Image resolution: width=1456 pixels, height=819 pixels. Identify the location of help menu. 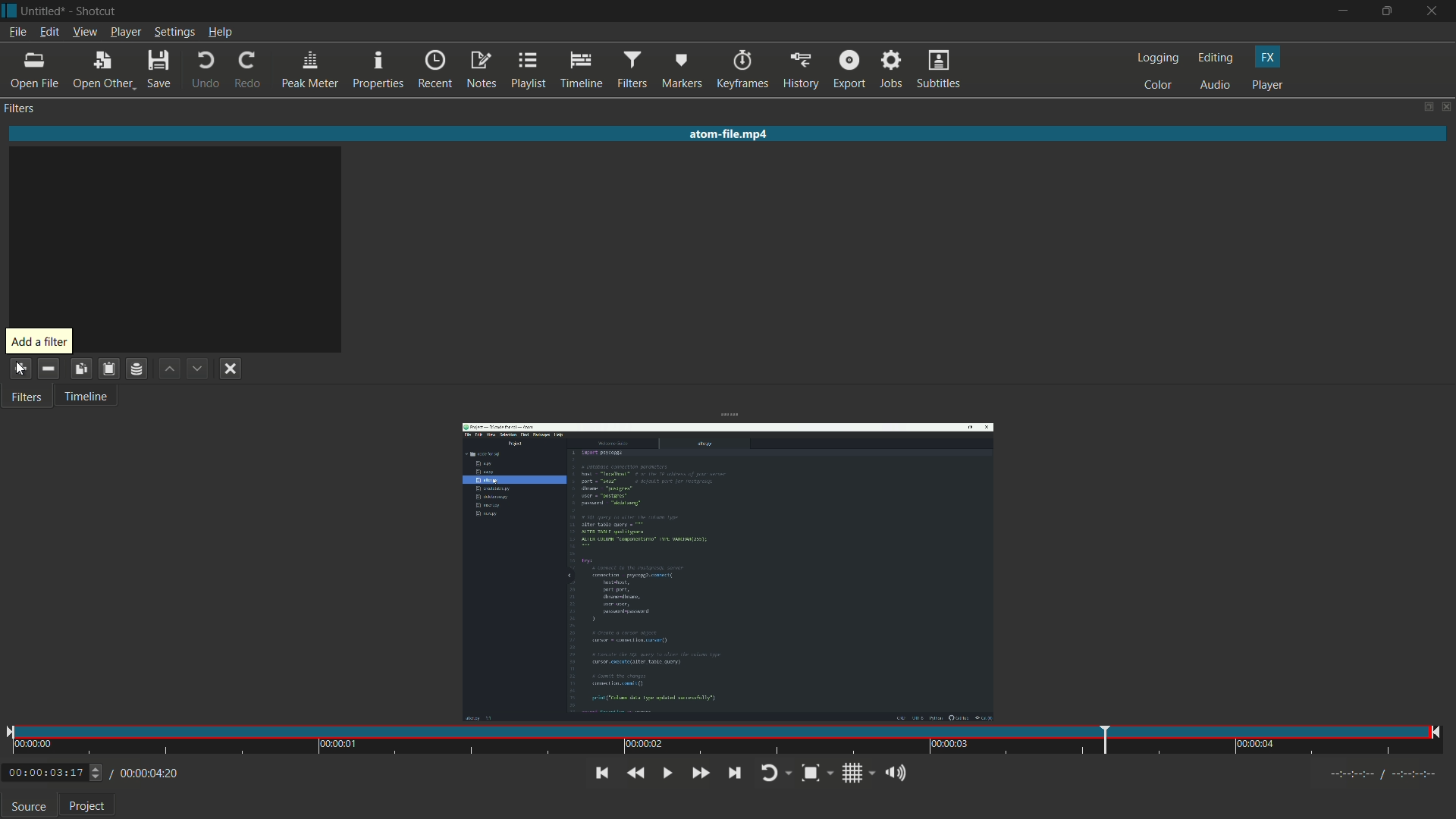
(221, 33).